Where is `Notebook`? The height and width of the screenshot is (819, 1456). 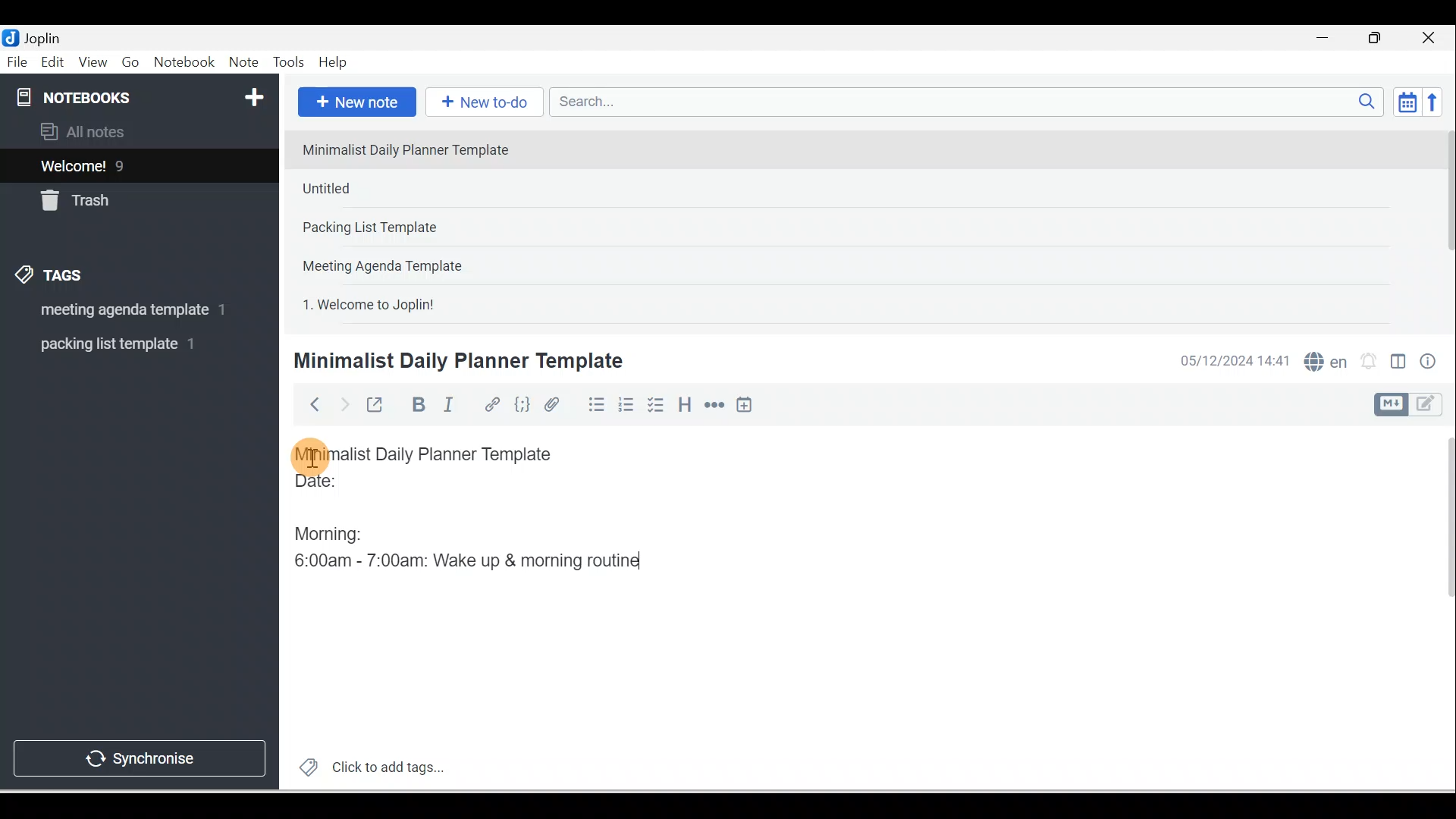 Notebook is located at coordinates (184, 63).